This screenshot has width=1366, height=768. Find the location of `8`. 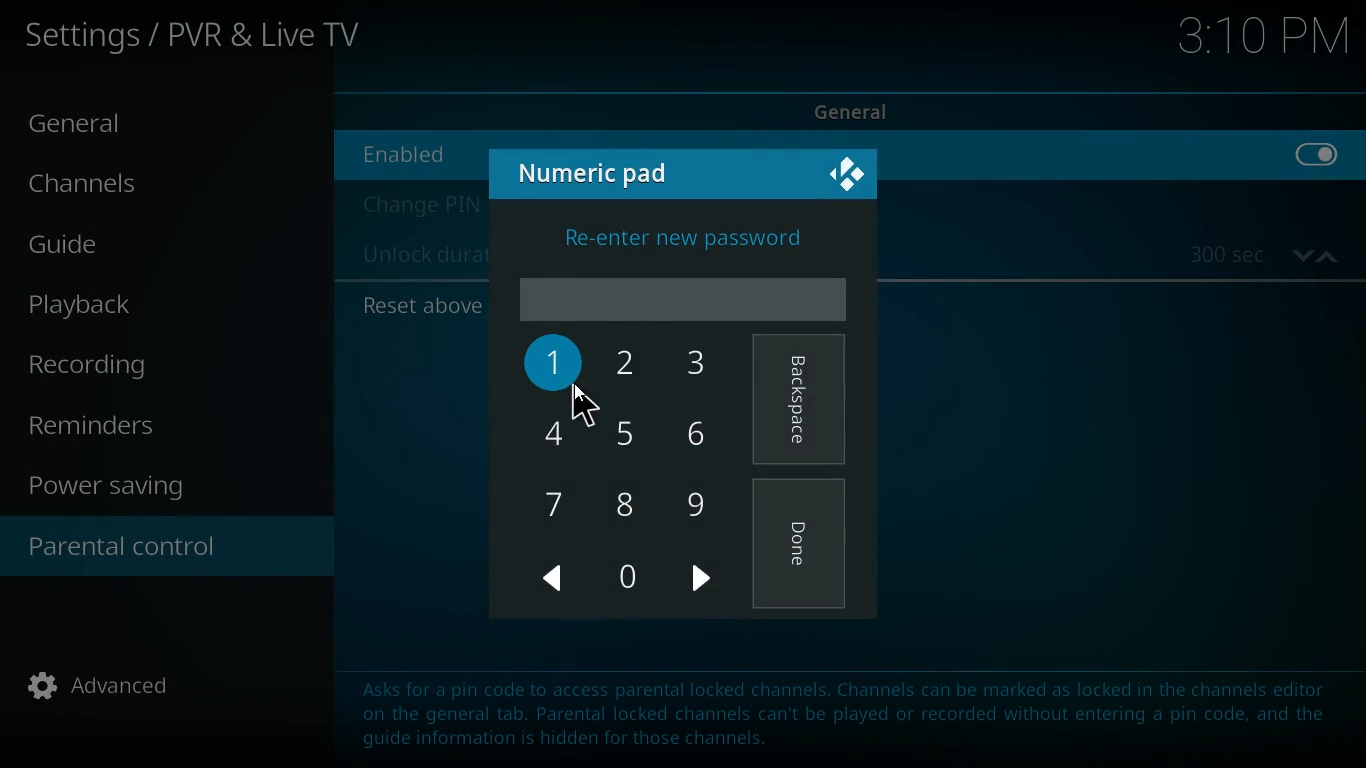

8 is located at coordinates (625, 503).